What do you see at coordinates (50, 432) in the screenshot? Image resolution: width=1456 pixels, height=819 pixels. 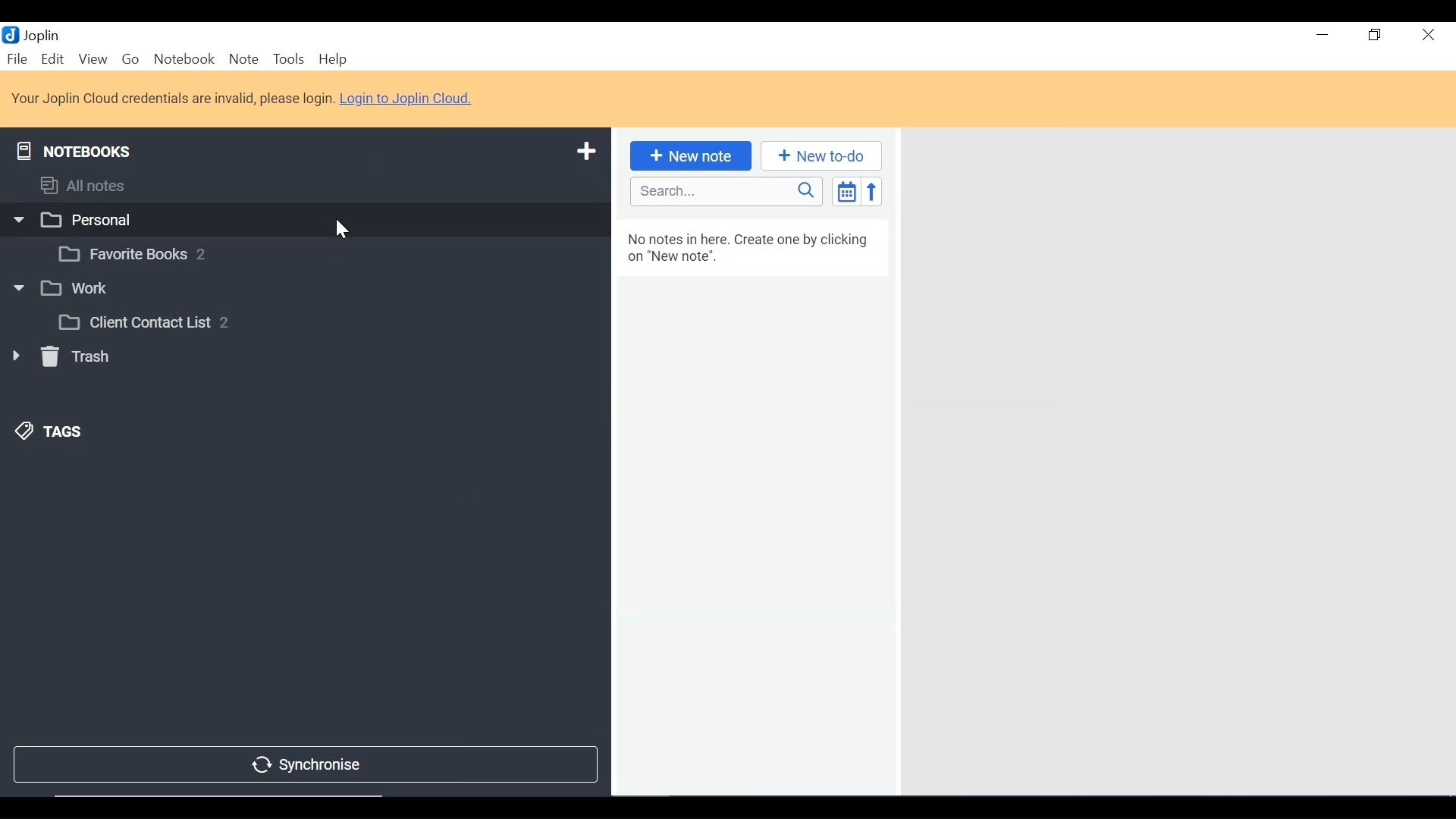 I see `Tags` at bounding box center [50, 432].